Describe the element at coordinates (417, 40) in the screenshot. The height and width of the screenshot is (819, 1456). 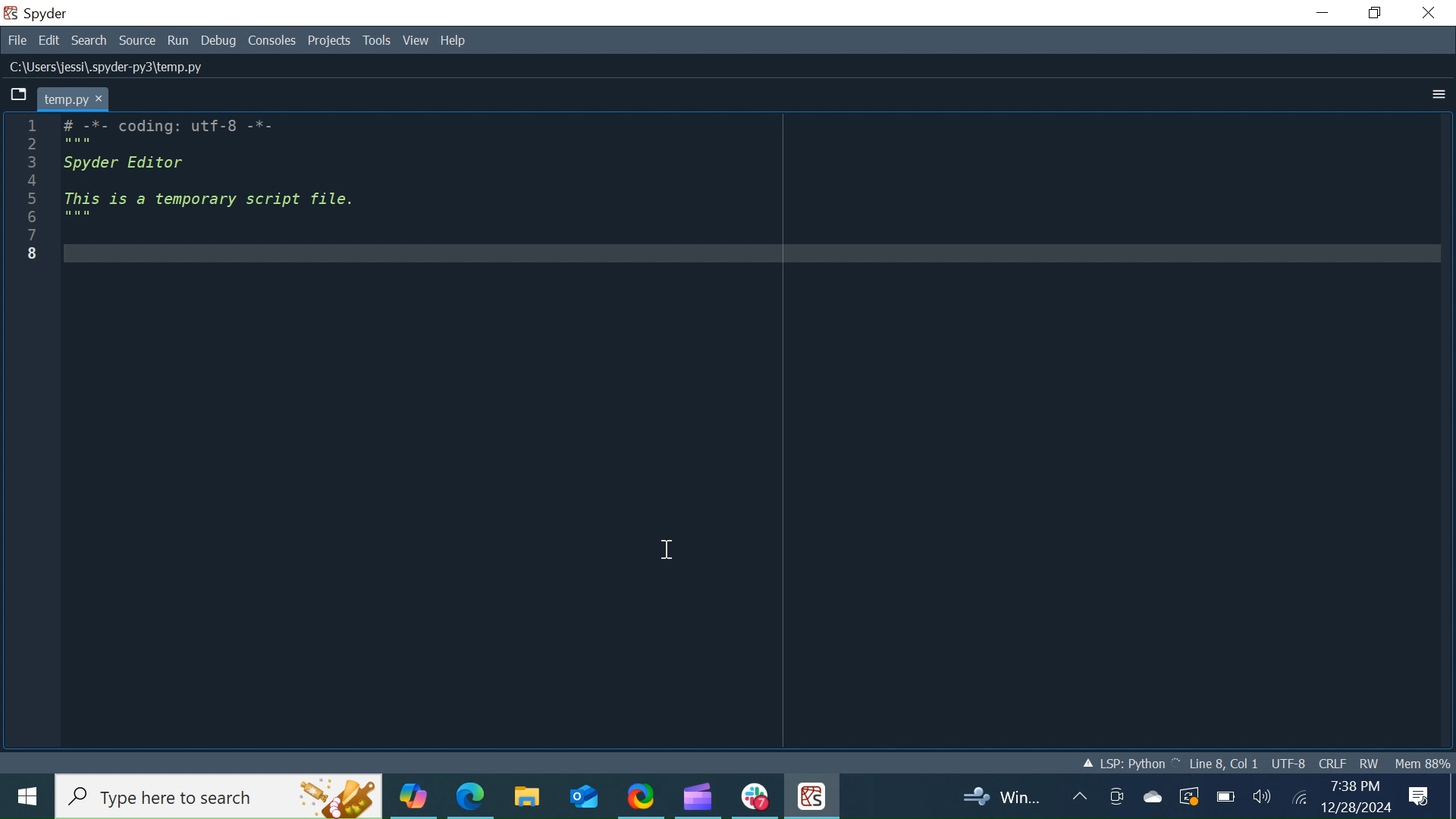
I see `View` at that location.